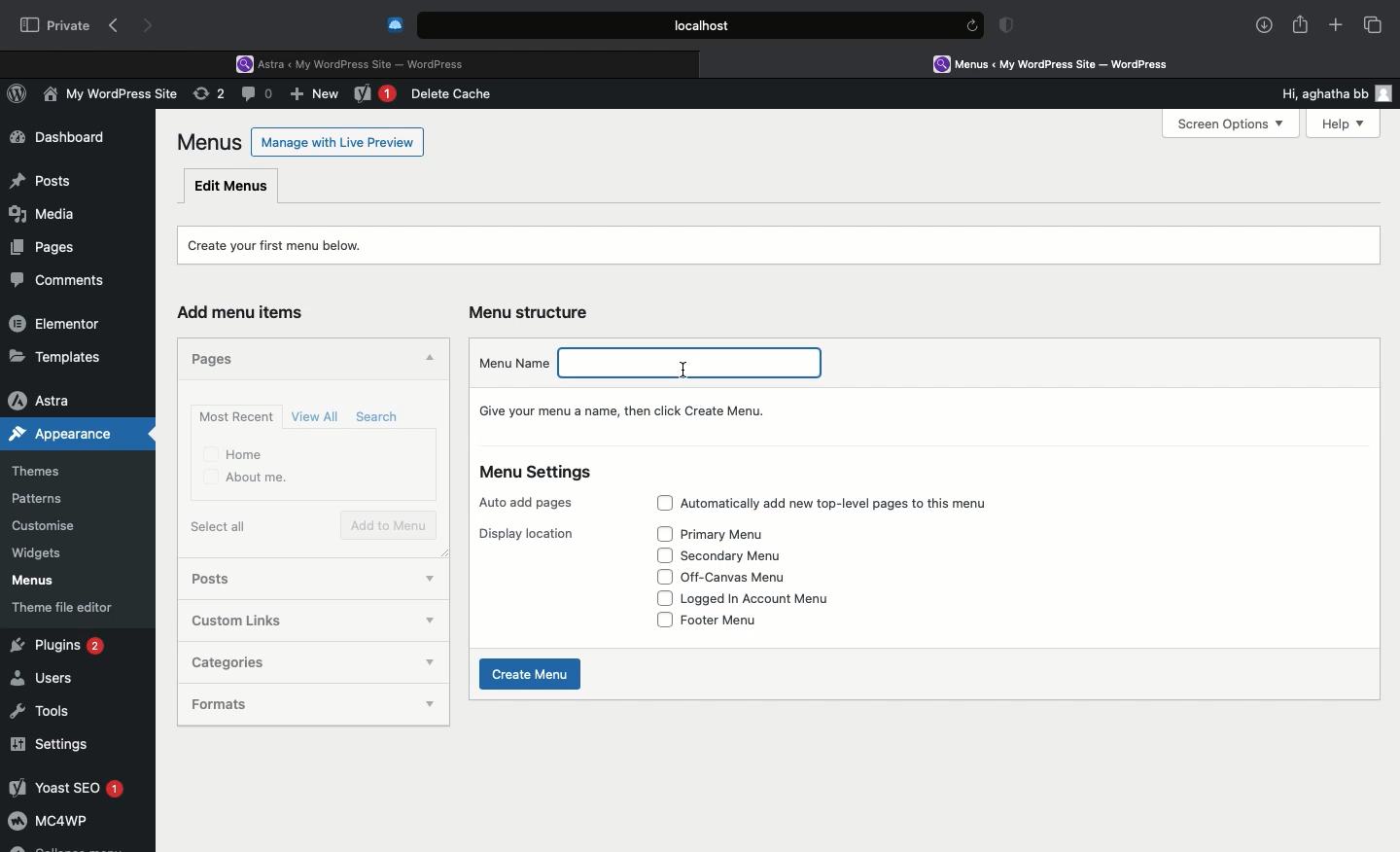 This screenshot has width=1400, height=852. I want to click on Download, so click(1265, 25).